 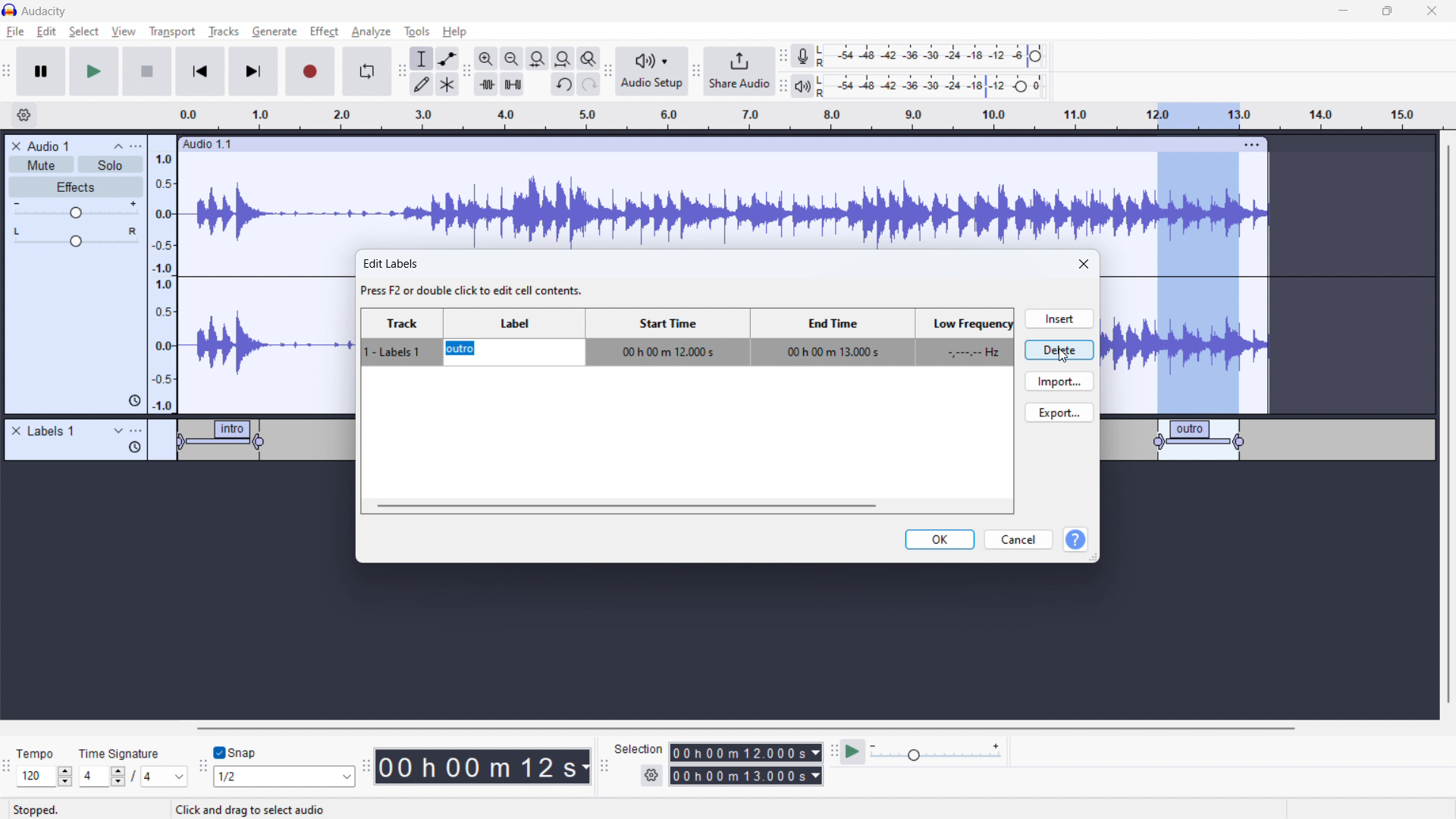 I want to click on selection settings, so click(x=652, y=776).